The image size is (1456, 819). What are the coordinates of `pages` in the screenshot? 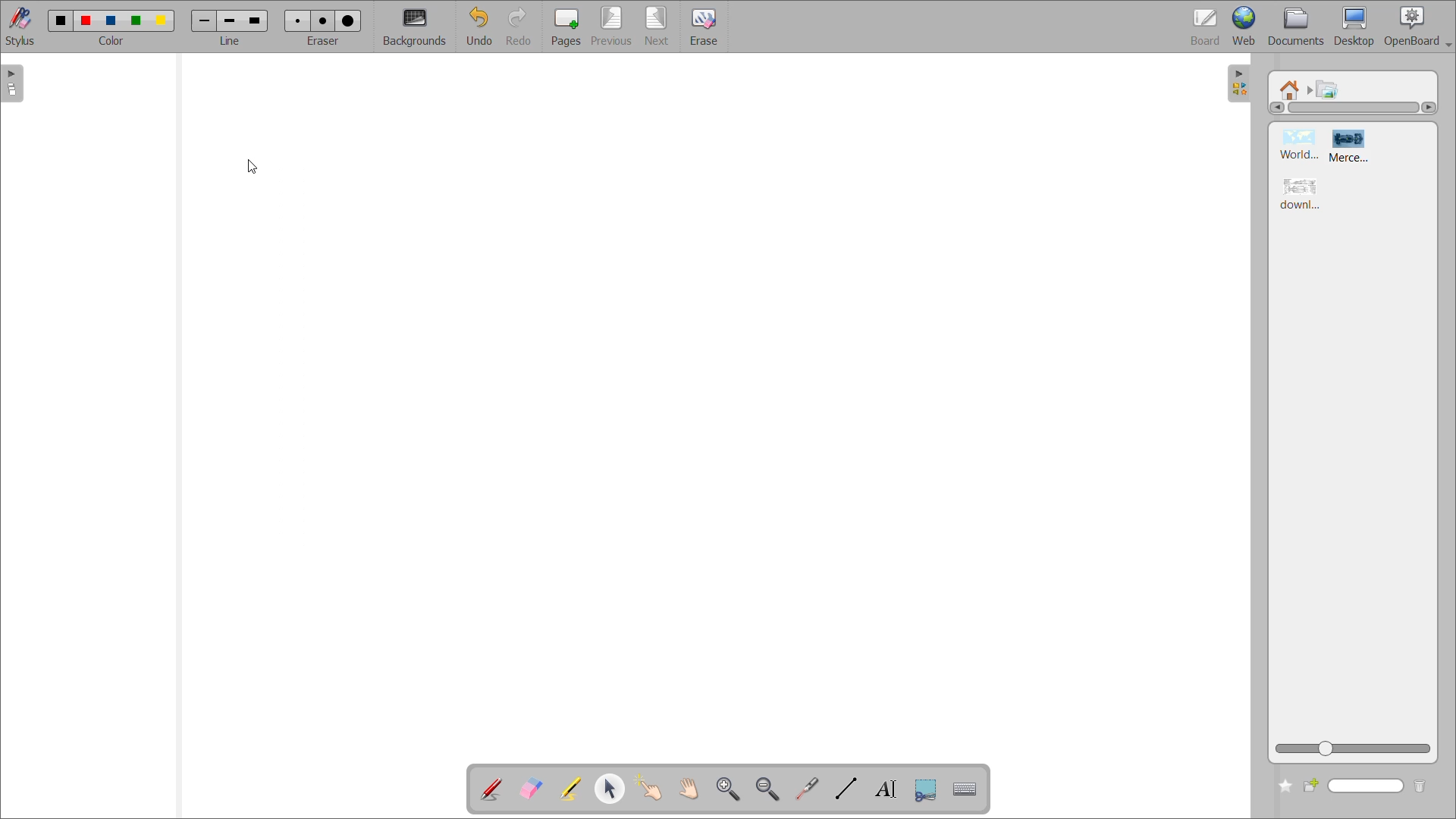 It's located at (566, 28).